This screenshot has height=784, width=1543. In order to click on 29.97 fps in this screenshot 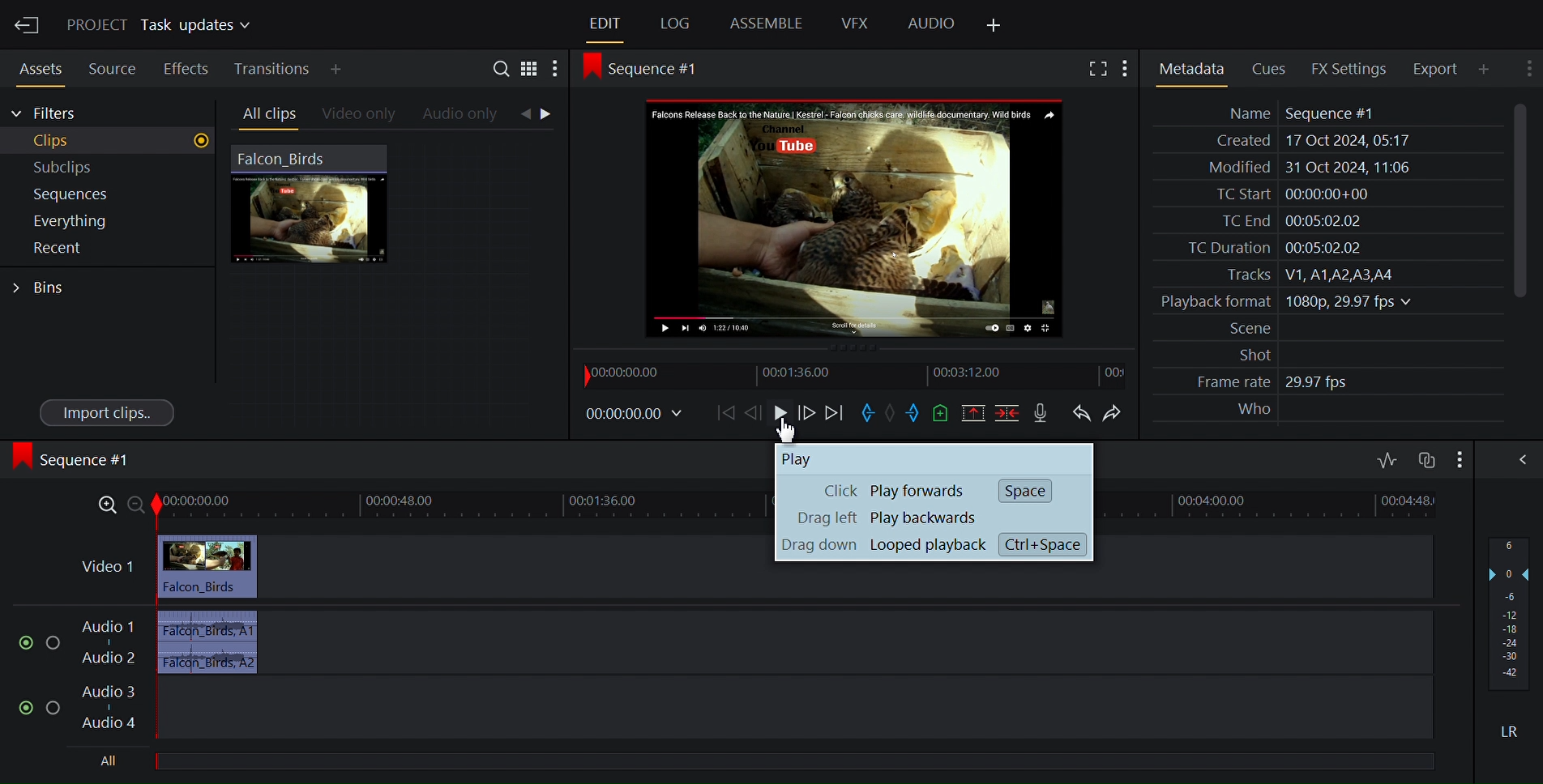, I will do `click(1321, 383)`.